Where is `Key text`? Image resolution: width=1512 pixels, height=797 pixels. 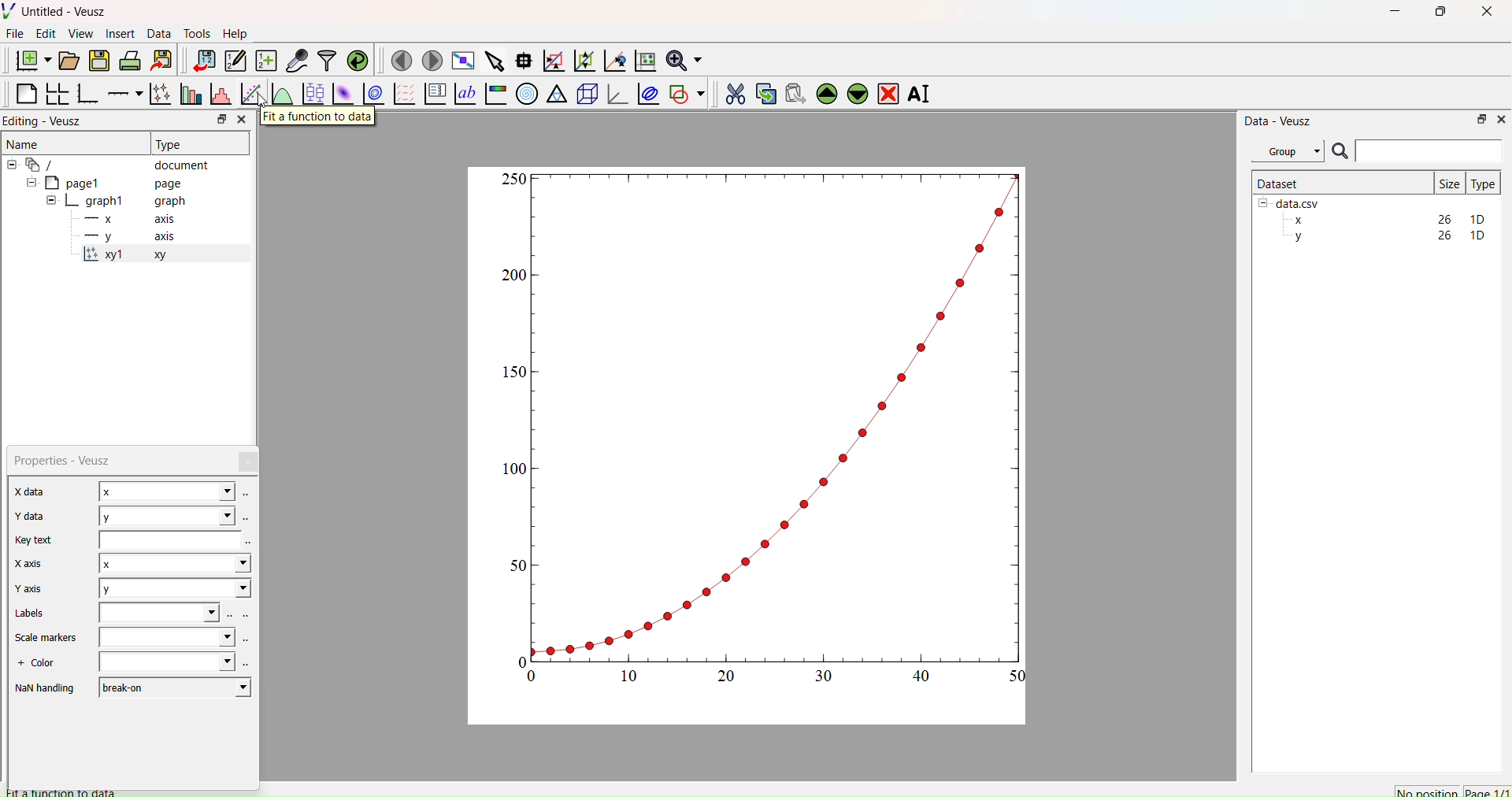 Key text is located at coordinates (35, 538).